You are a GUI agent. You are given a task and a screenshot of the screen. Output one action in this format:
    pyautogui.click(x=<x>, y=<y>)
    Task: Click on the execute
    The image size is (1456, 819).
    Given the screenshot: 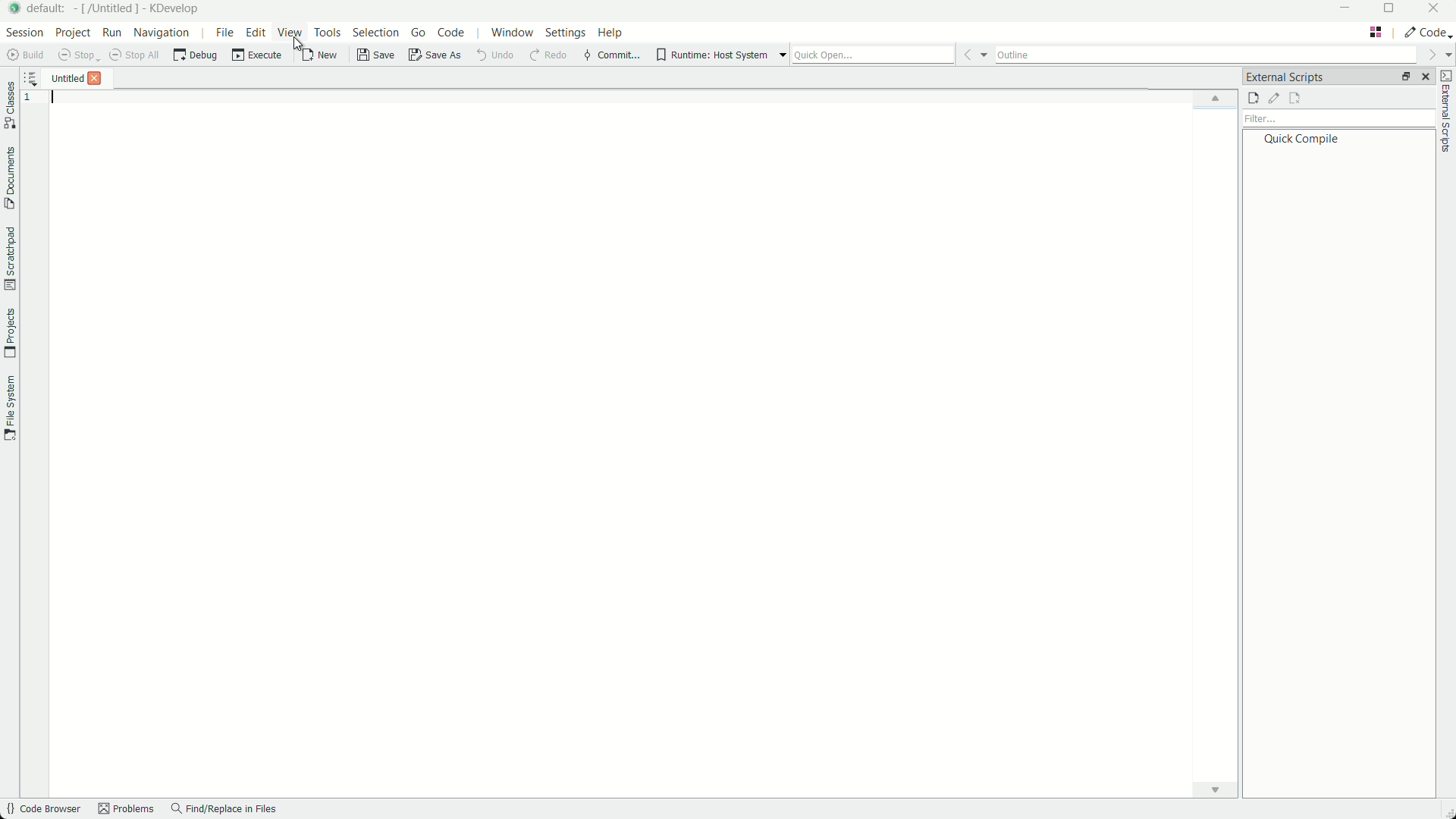 What is the action you would take?
    pyautogui.click(x=254, y=58)
    